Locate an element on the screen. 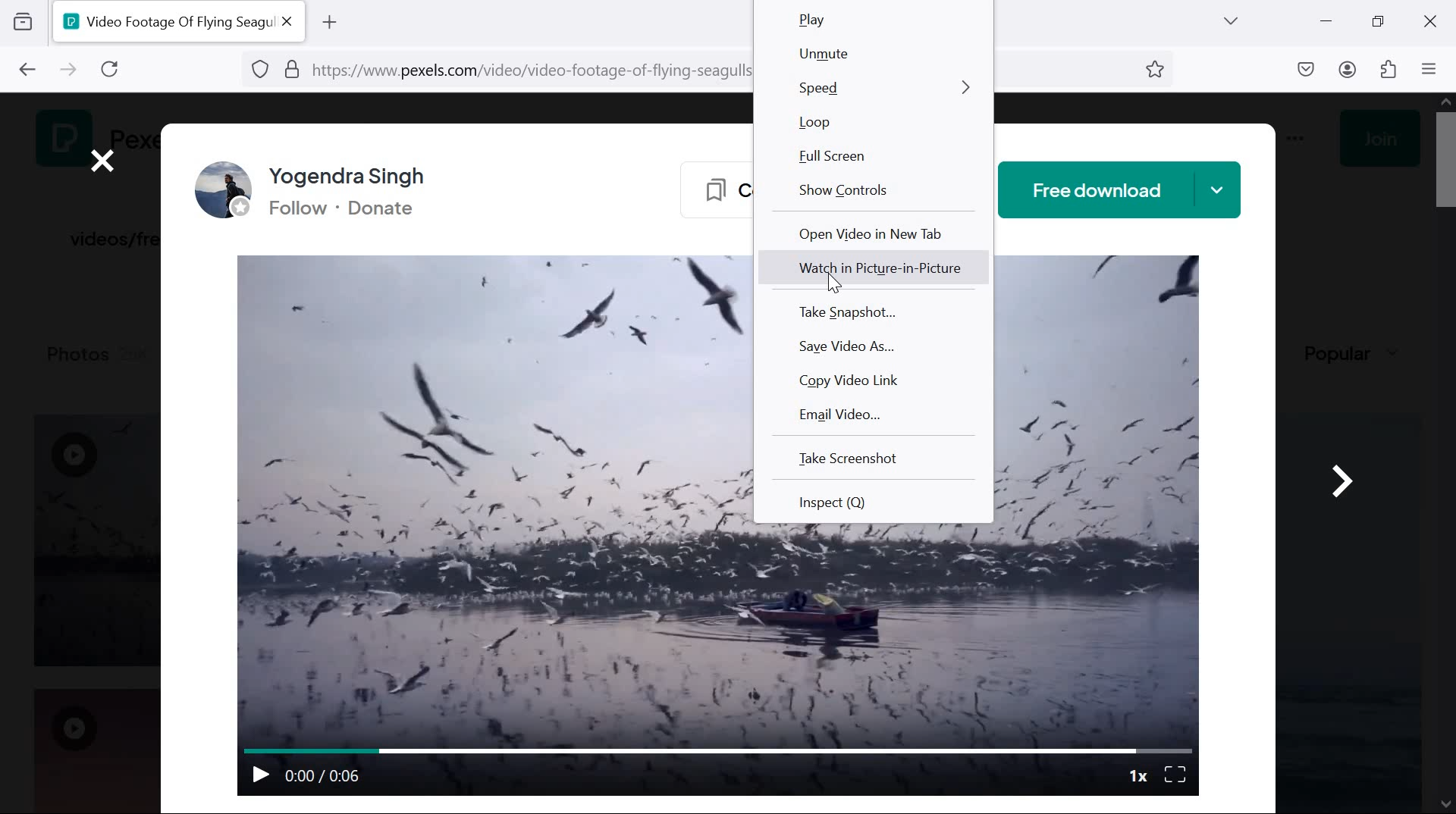 This screenshot has height=814, width=1456. Follow is located at coordinates (295, 211).